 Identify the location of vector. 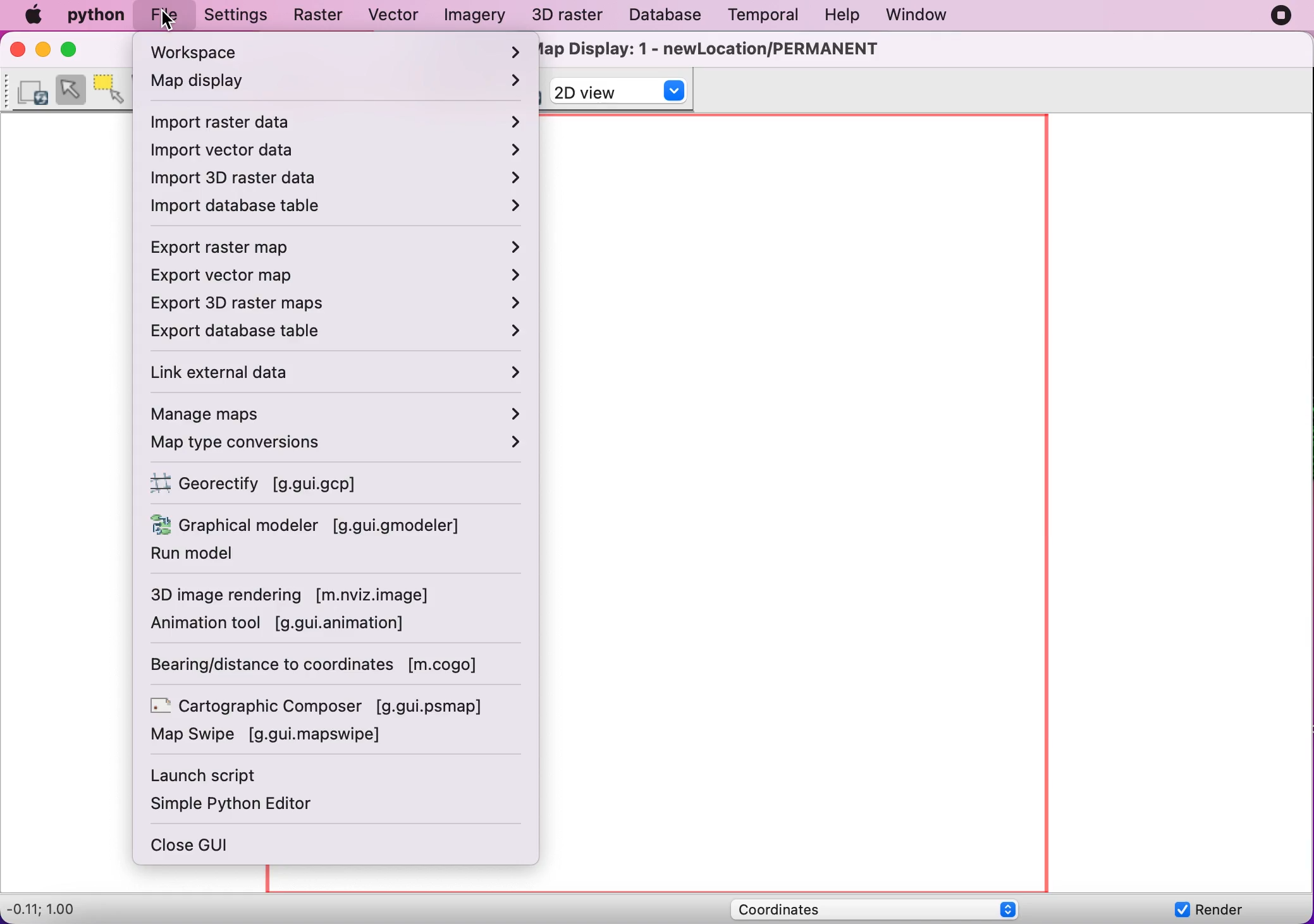
(399, 15).